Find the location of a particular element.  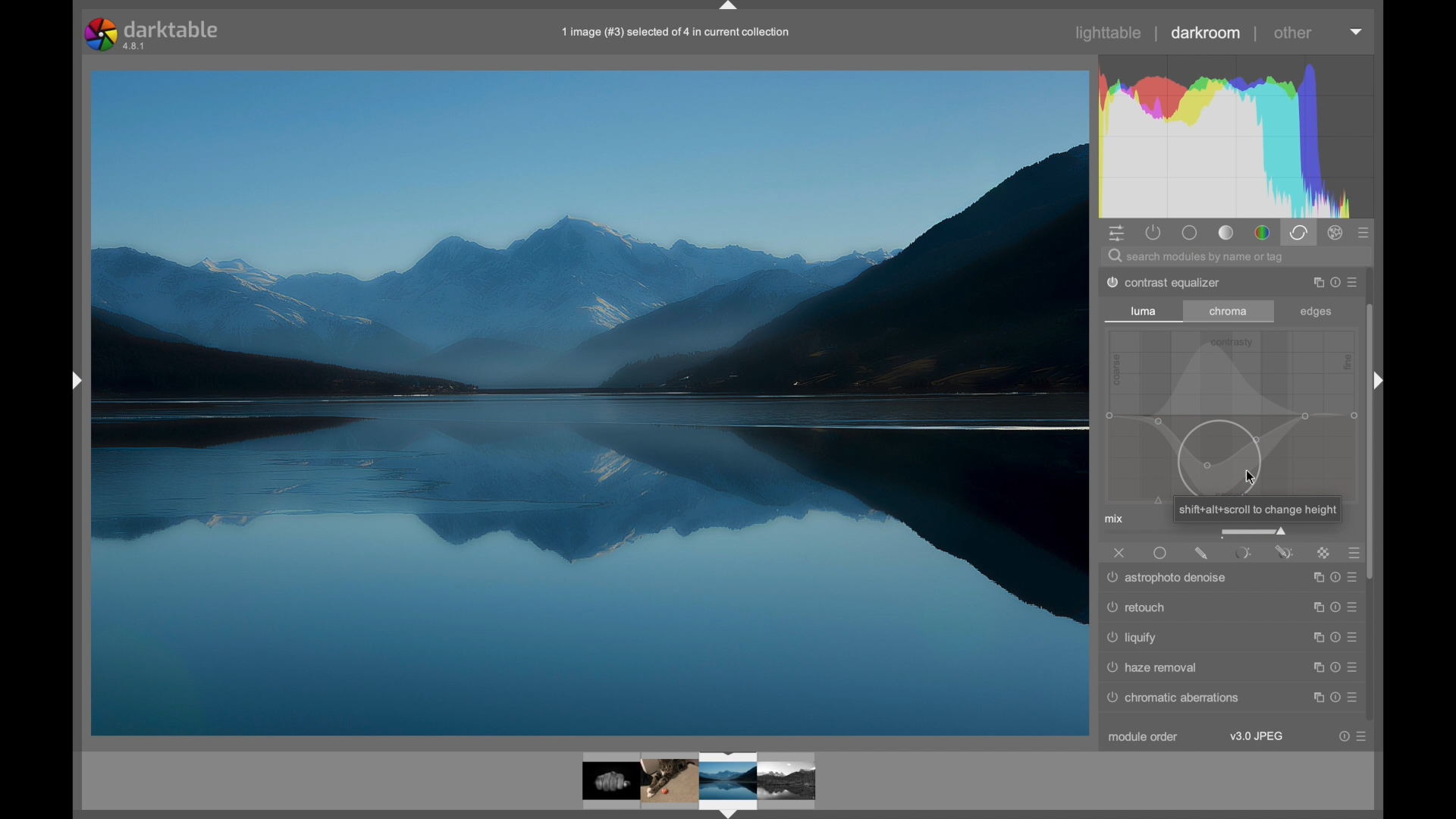

denoise is located at coordinates (1161, 637).